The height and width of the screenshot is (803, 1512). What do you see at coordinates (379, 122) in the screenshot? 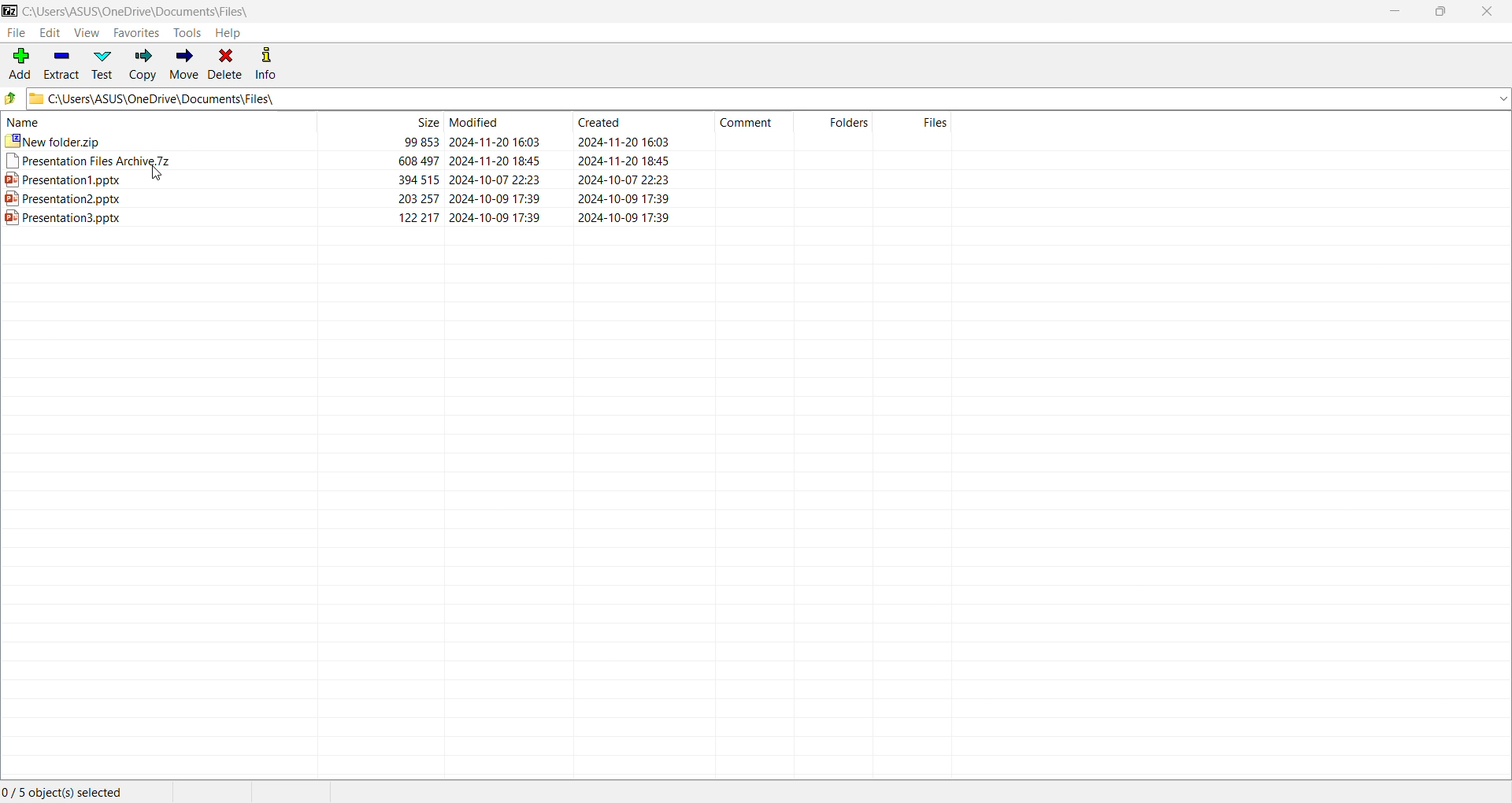
I see `size` at bounding box center [379, 122].